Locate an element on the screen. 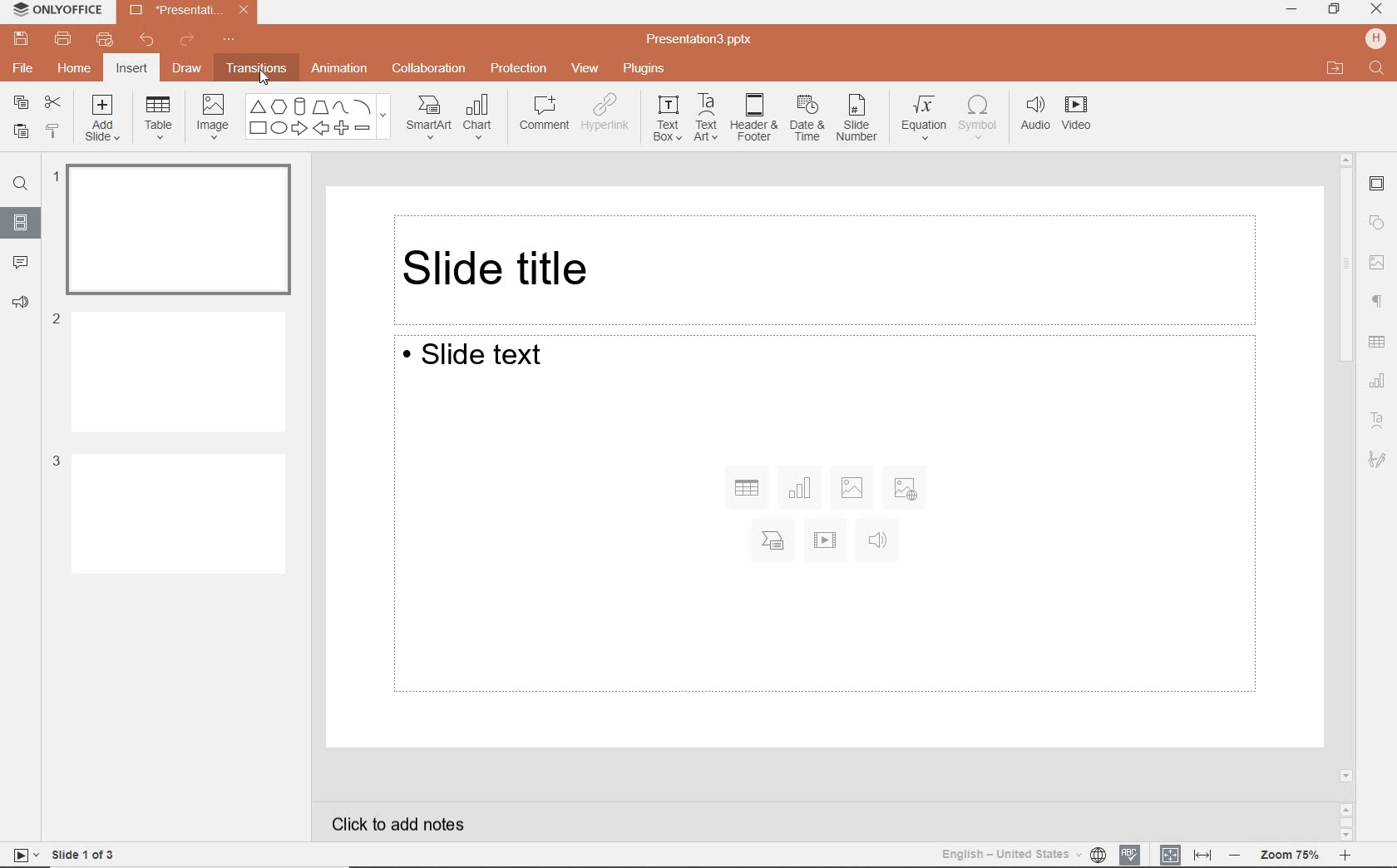 The image size is (1397, 868). insert is located at coordinates (131, 67).